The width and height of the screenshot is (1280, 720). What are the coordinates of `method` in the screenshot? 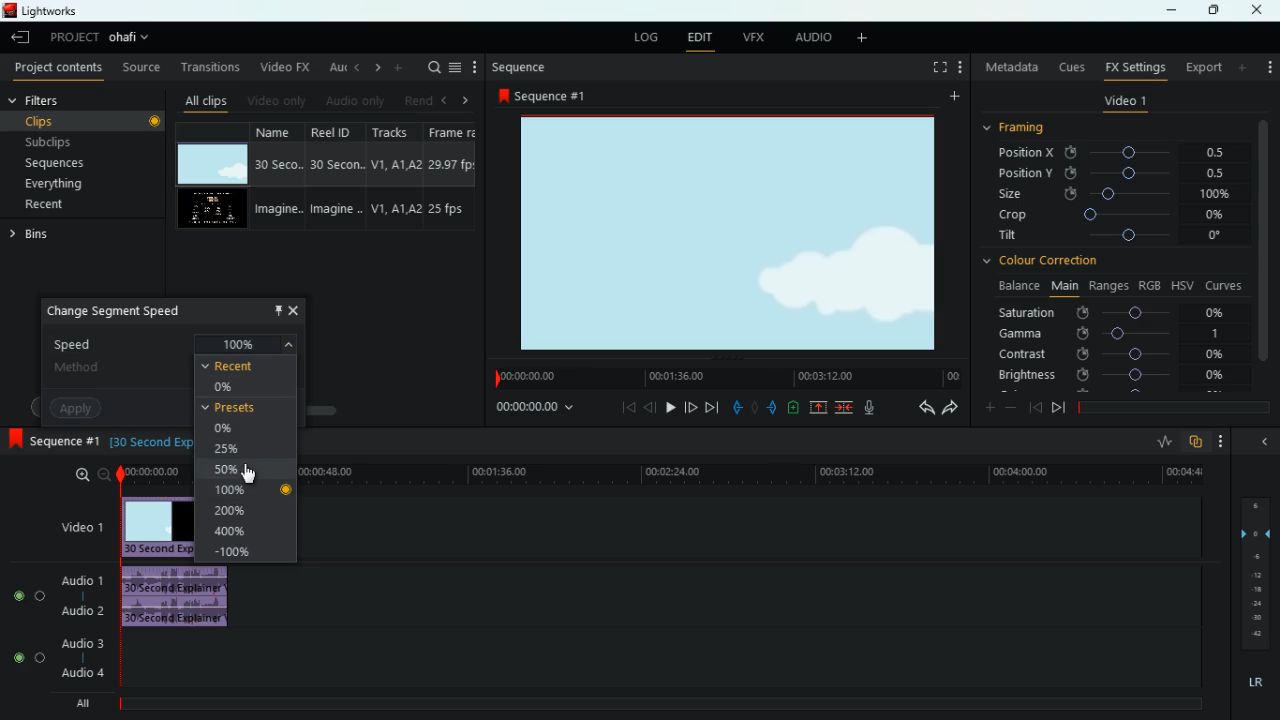 It's located at (118, 368).